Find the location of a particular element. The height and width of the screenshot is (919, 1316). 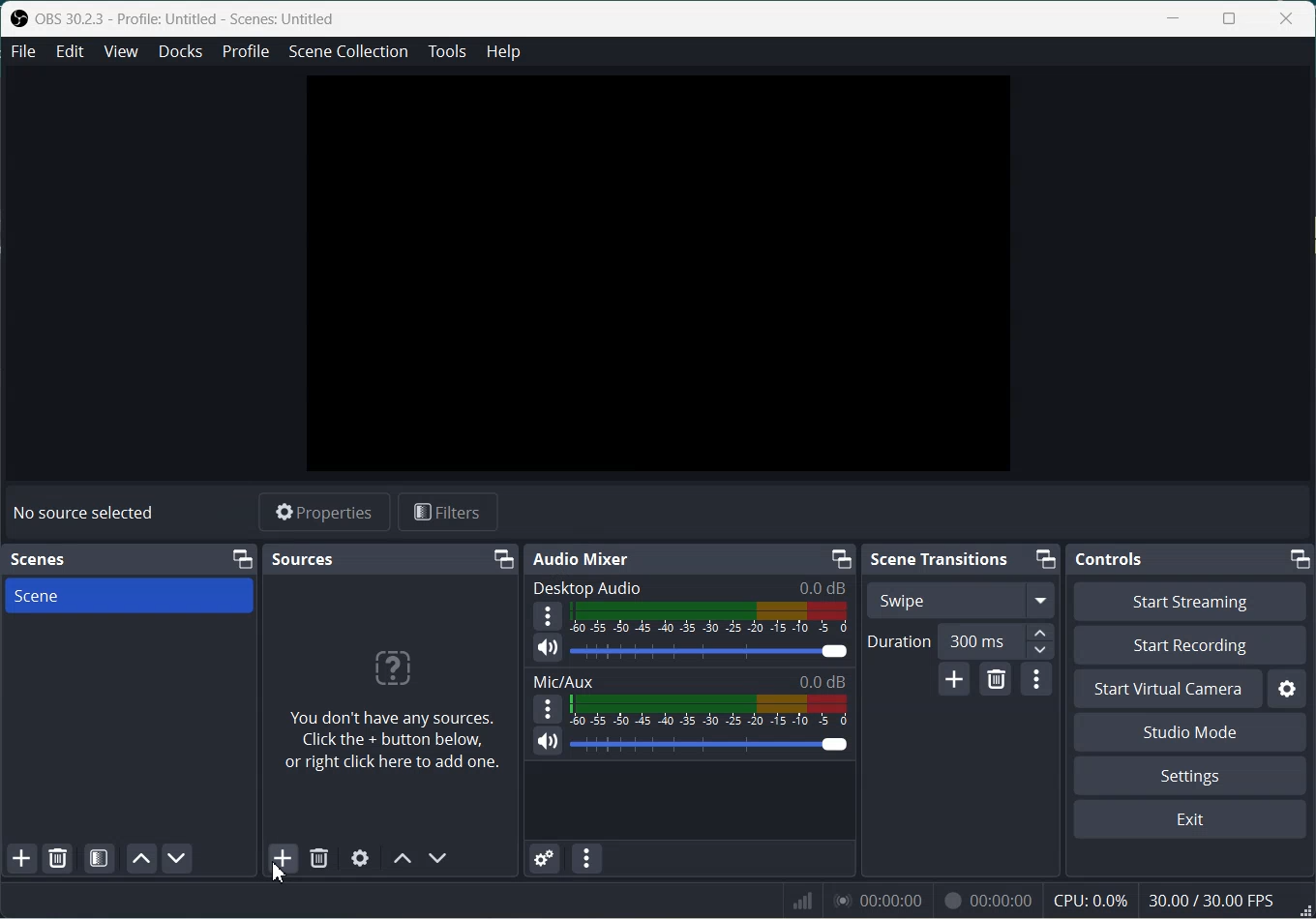

More is located at coordinates (546, 616).